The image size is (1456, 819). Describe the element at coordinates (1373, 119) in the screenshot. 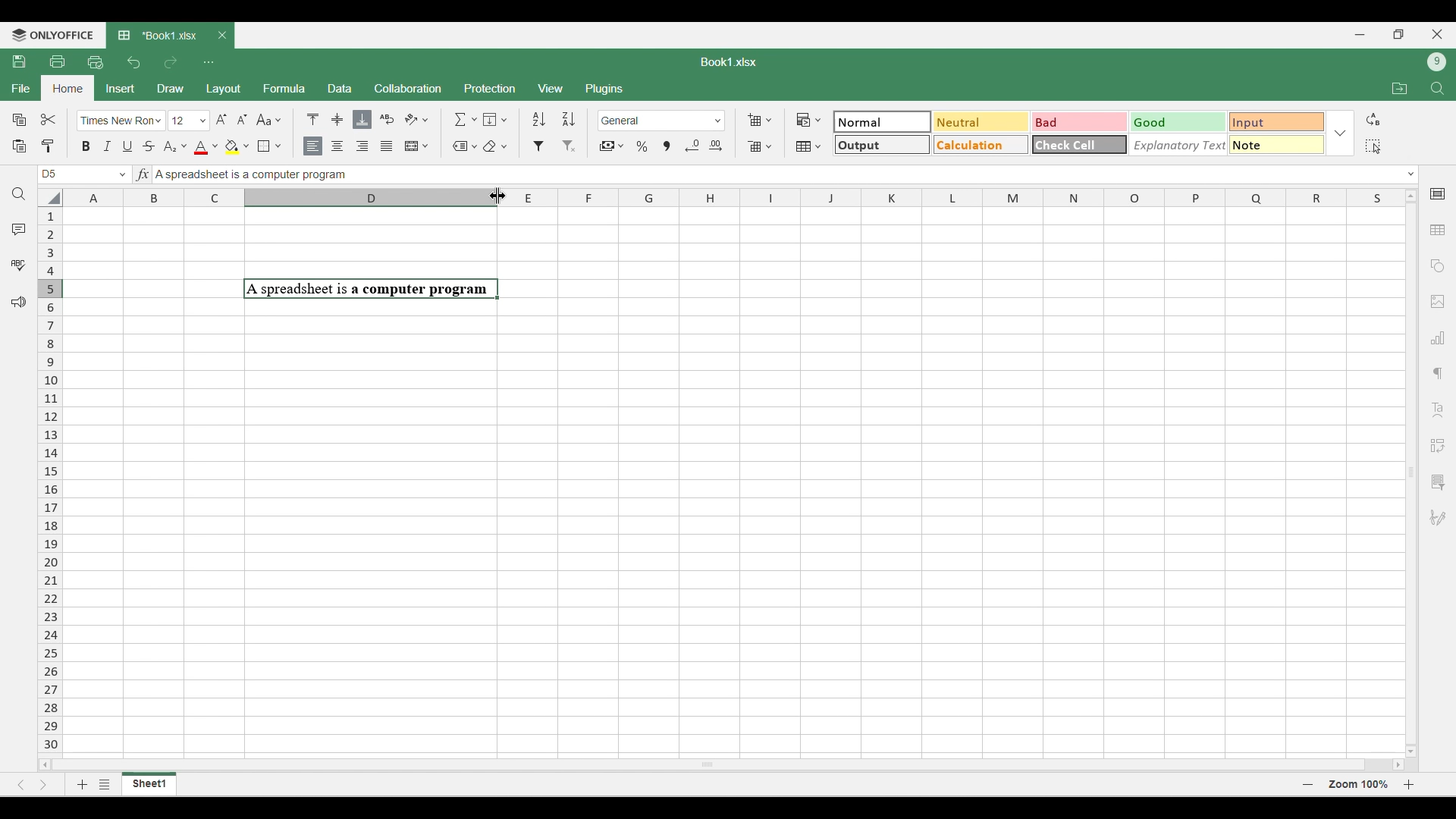

I see `Replace` at that location.